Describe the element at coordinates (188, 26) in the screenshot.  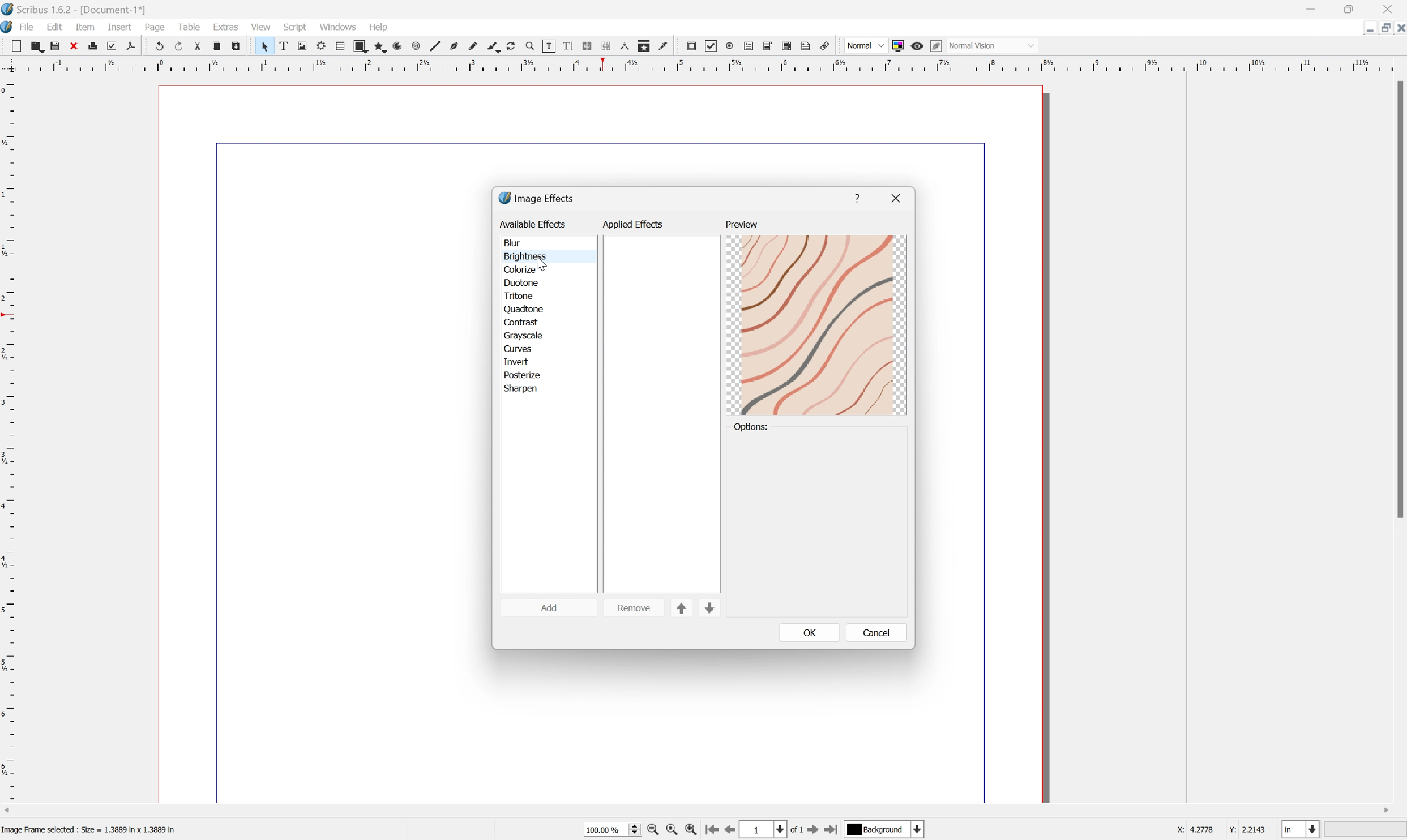
I see `Table` at that location.